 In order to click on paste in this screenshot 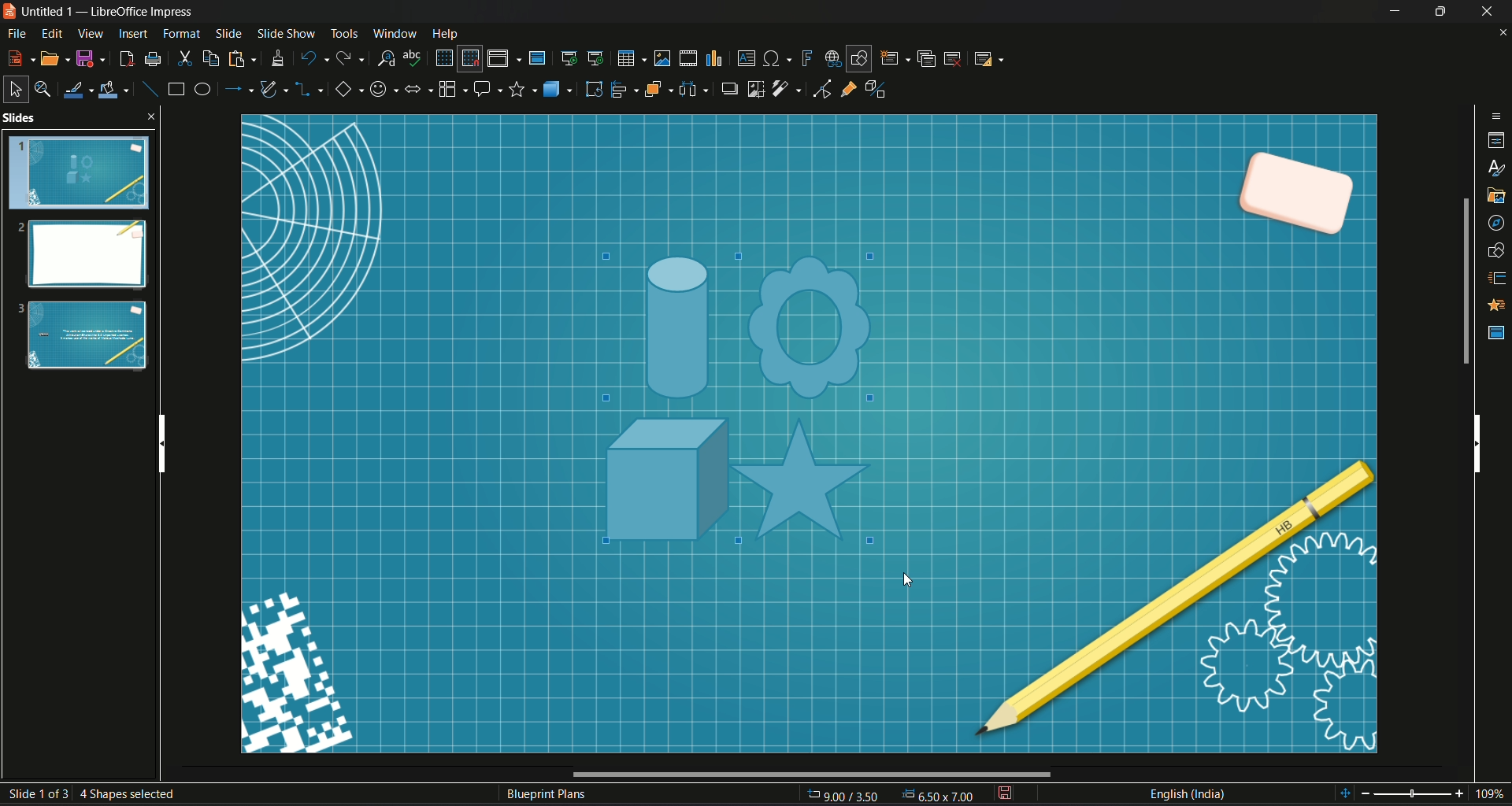, I will do `click(239, 59)`.